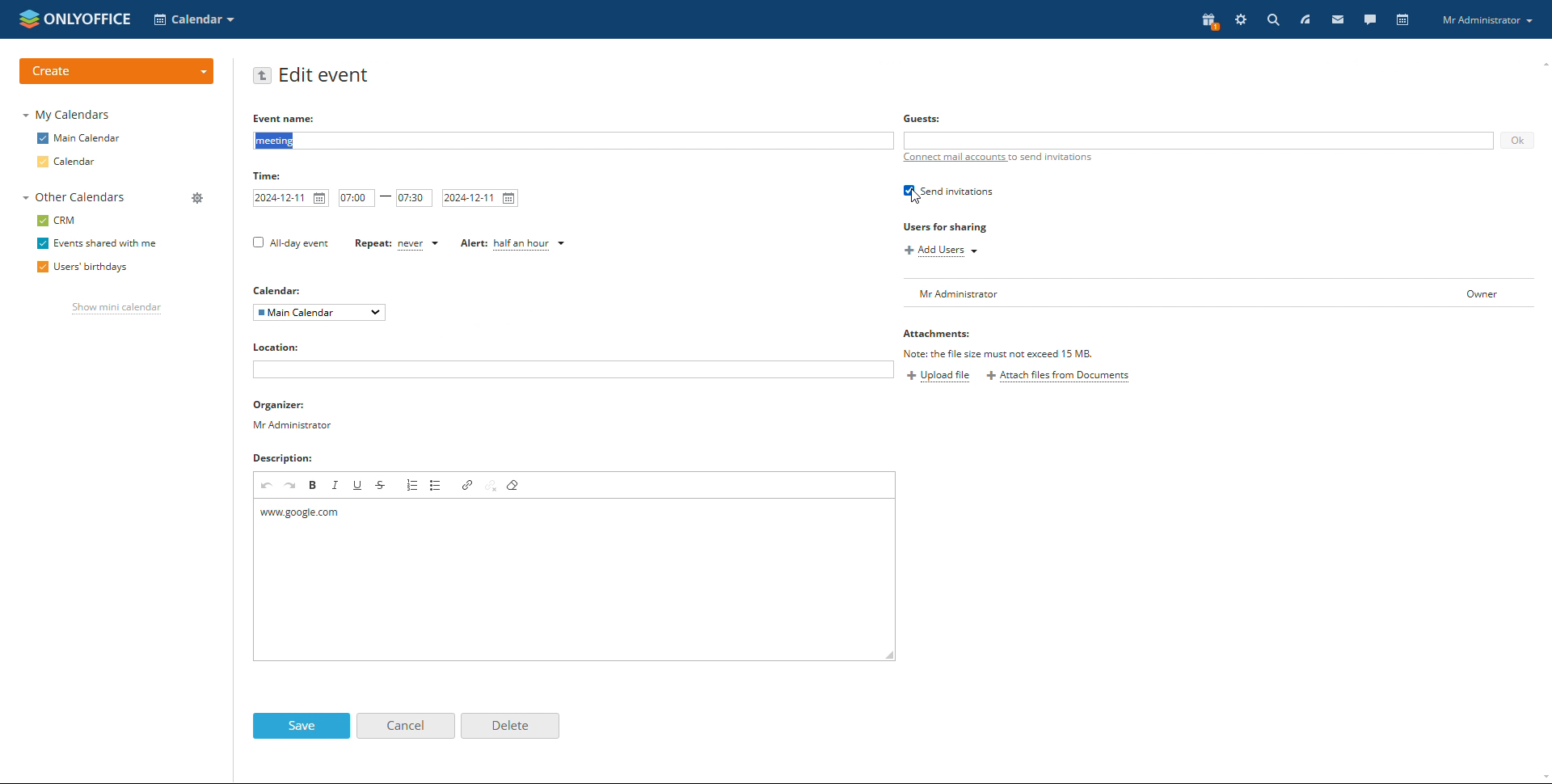 This screenshot has height=784, width=1552. Describe the element at coordinates (516, 484) in the screenshot. I see `remove format` at that location.